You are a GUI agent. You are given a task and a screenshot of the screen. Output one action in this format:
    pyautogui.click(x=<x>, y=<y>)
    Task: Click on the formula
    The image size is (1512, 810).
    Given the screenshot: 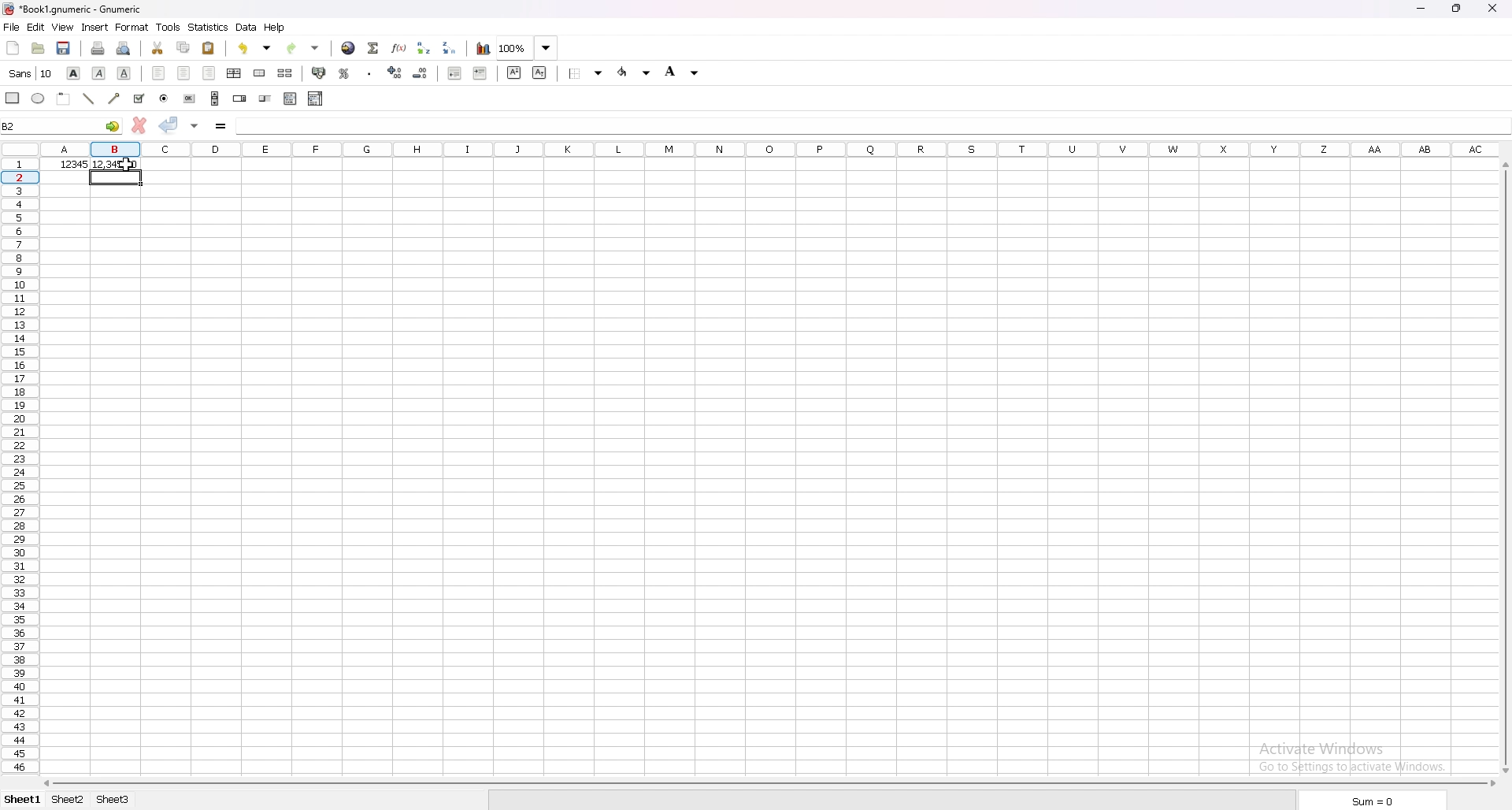 What is the action you would take?
    pyautogui.click(x=221, y=125)
    